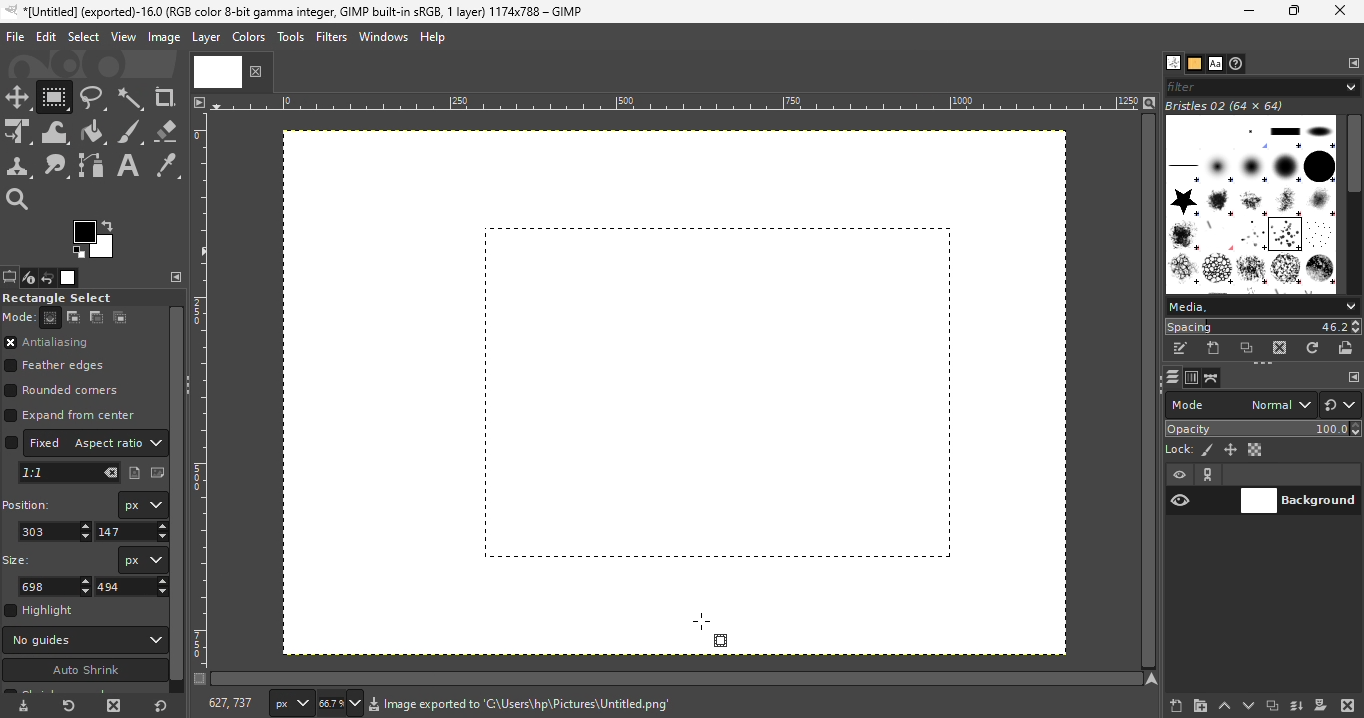 The image size is (1364, 718). Describe the element at coordinates (109, 473) in the screenshot. I see `clear` at that location.